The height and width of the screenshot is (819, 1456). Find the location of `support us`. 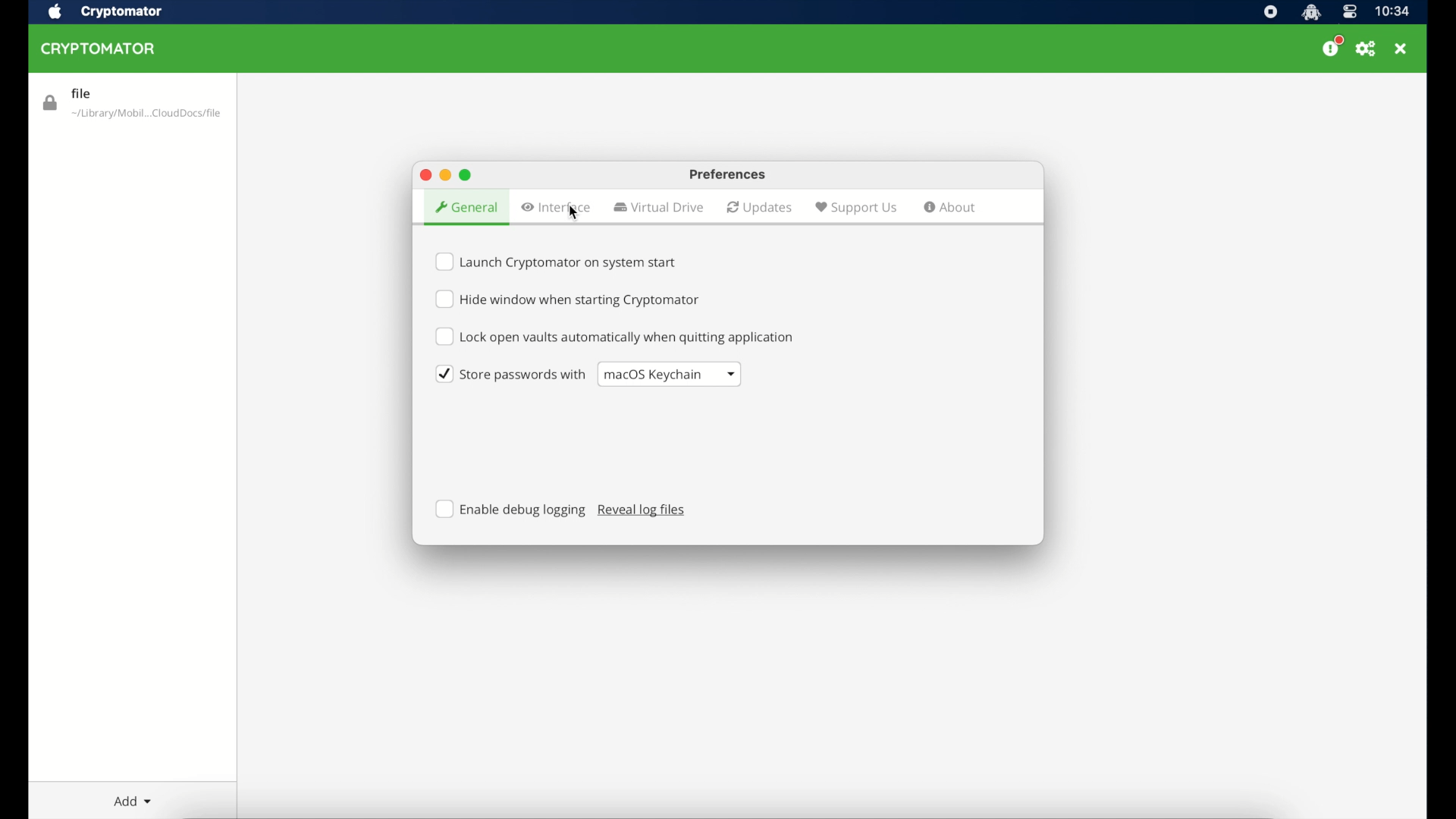

support us is located at coordinates (856, 209).